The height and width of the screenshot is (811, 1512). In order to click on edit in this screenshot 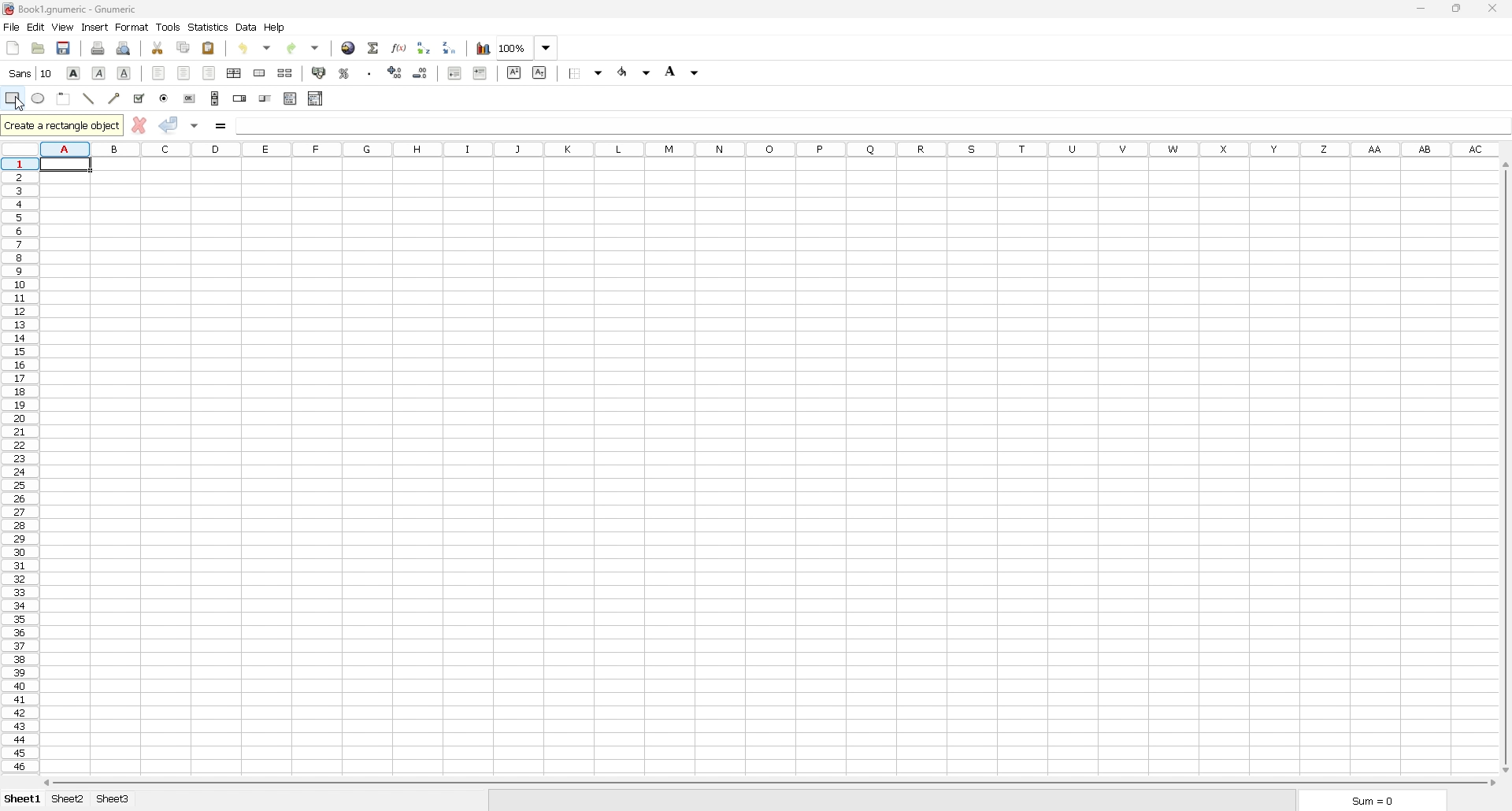, I will do `click(35, 27)`.